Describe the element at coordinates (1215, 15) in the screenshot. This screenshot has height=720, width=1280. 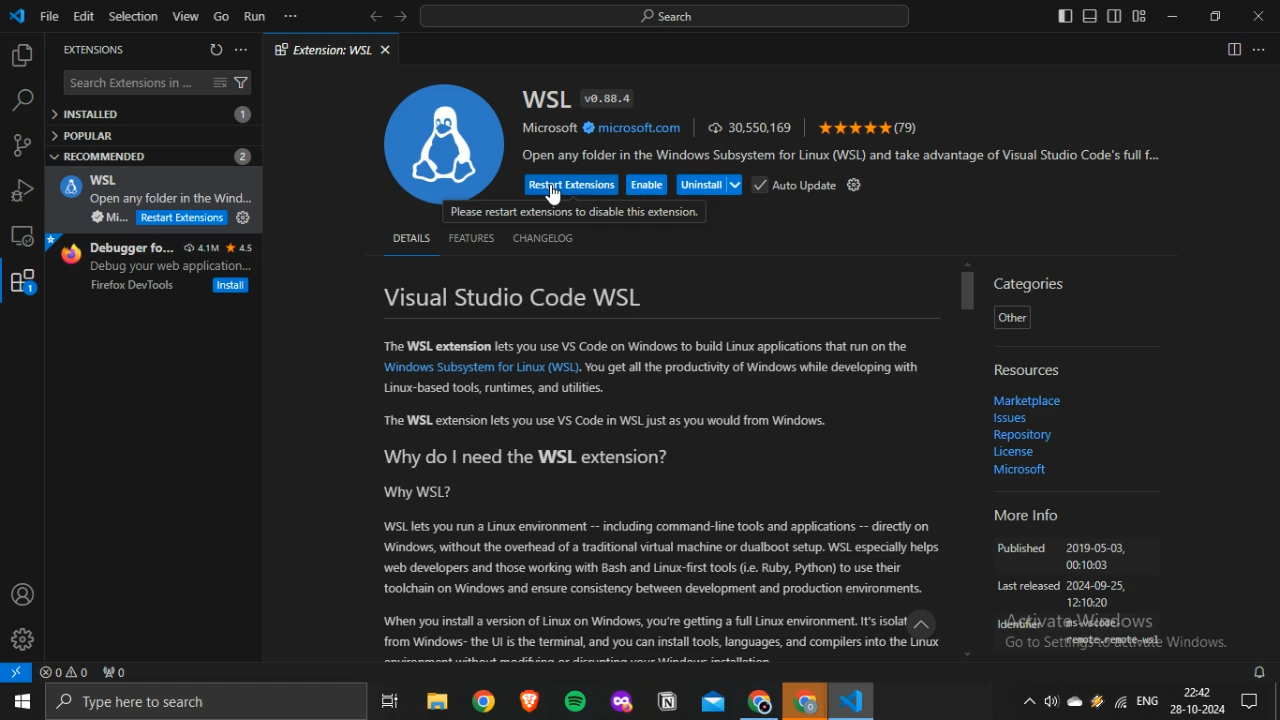
I see `restore` at that location.